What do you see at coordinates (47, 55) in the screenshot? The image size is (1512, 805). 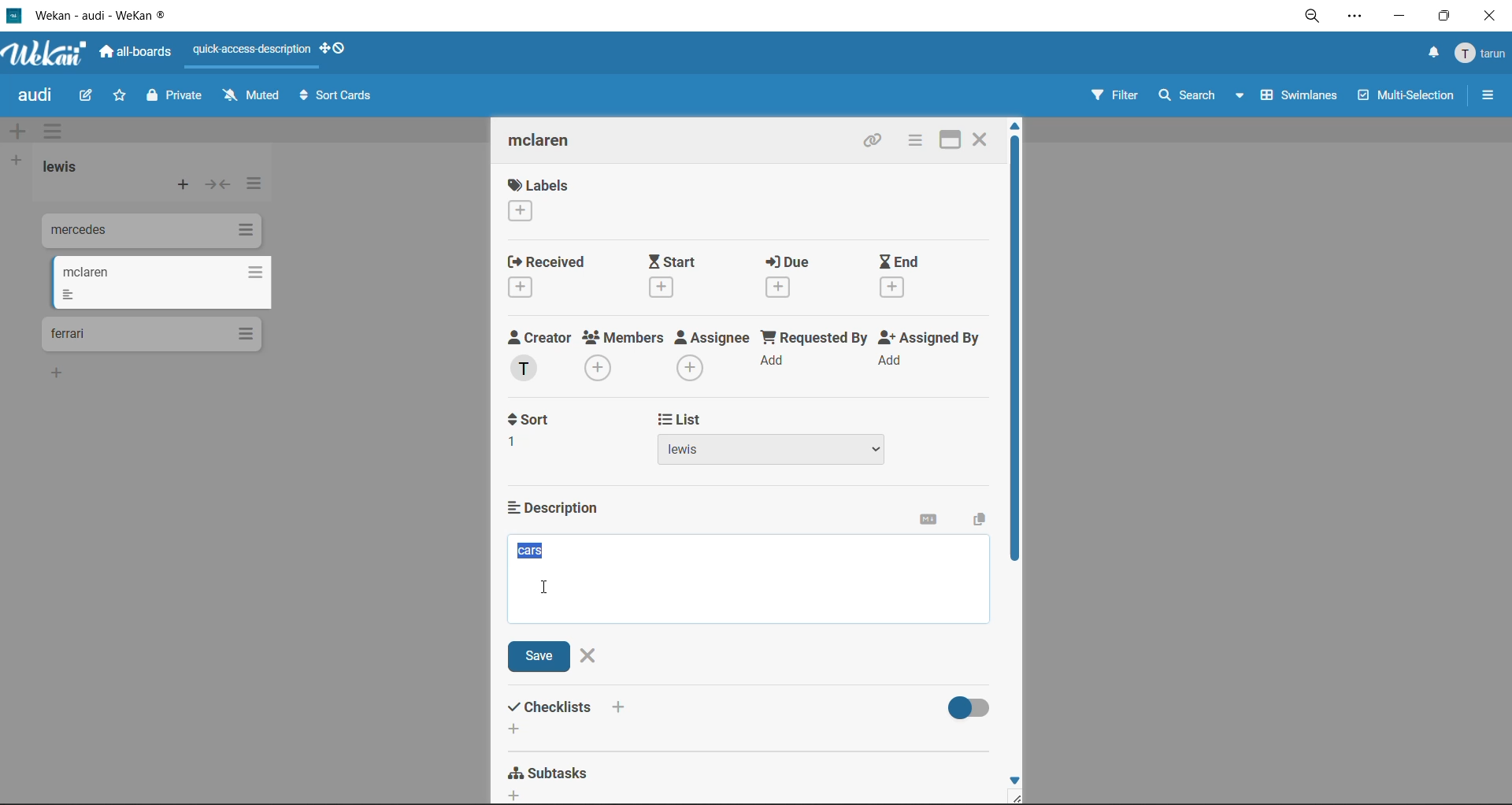 I see `app logo` at bounding box center [47, 55].